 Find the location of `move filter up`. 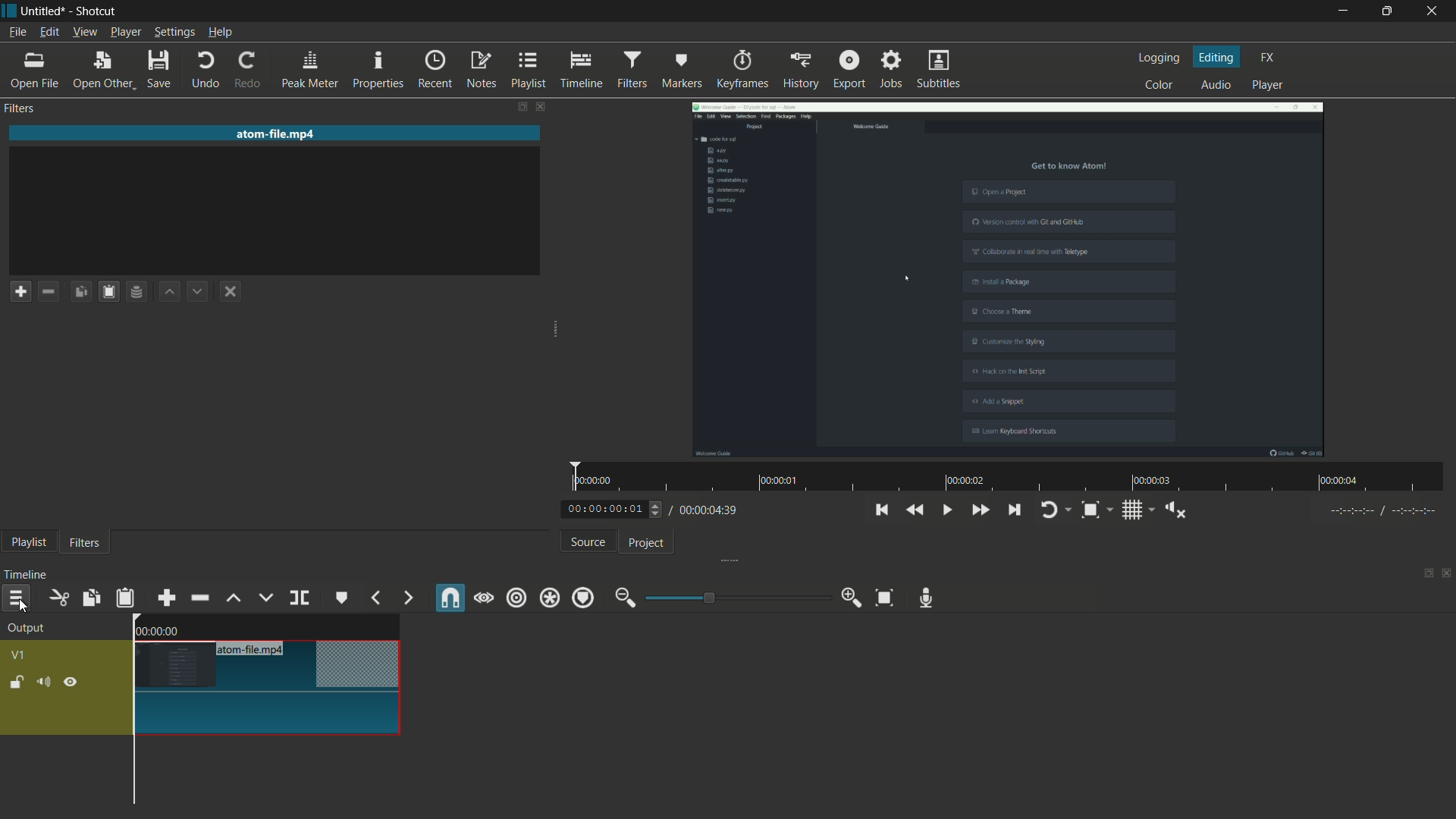

move filter up is located at coordinates (170, 293).